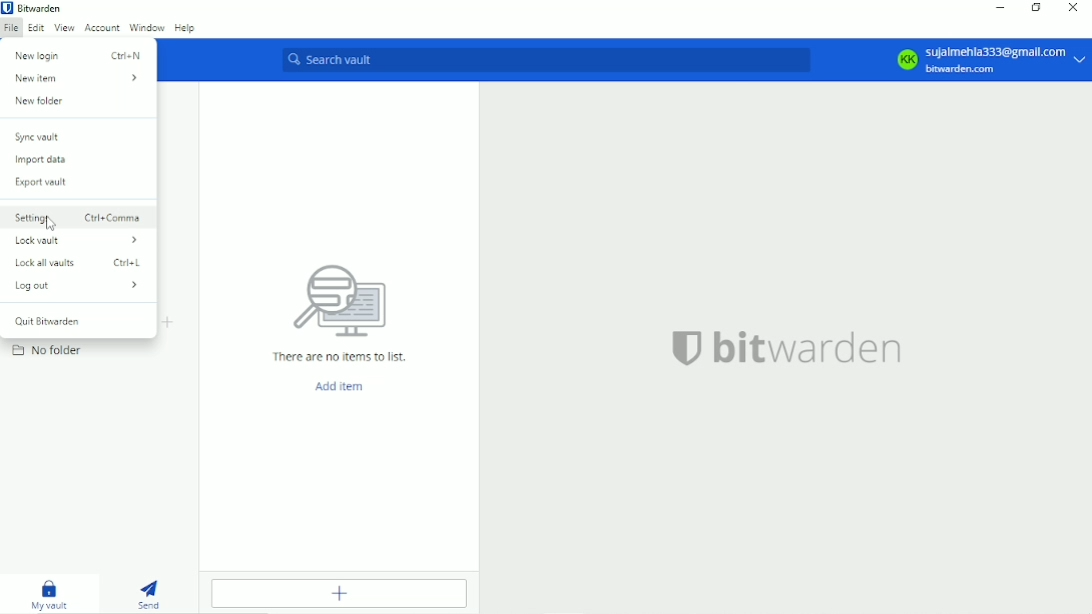  Describe the element at coordinates (1074, 9) in the screenshot. I see `Close` at that location.